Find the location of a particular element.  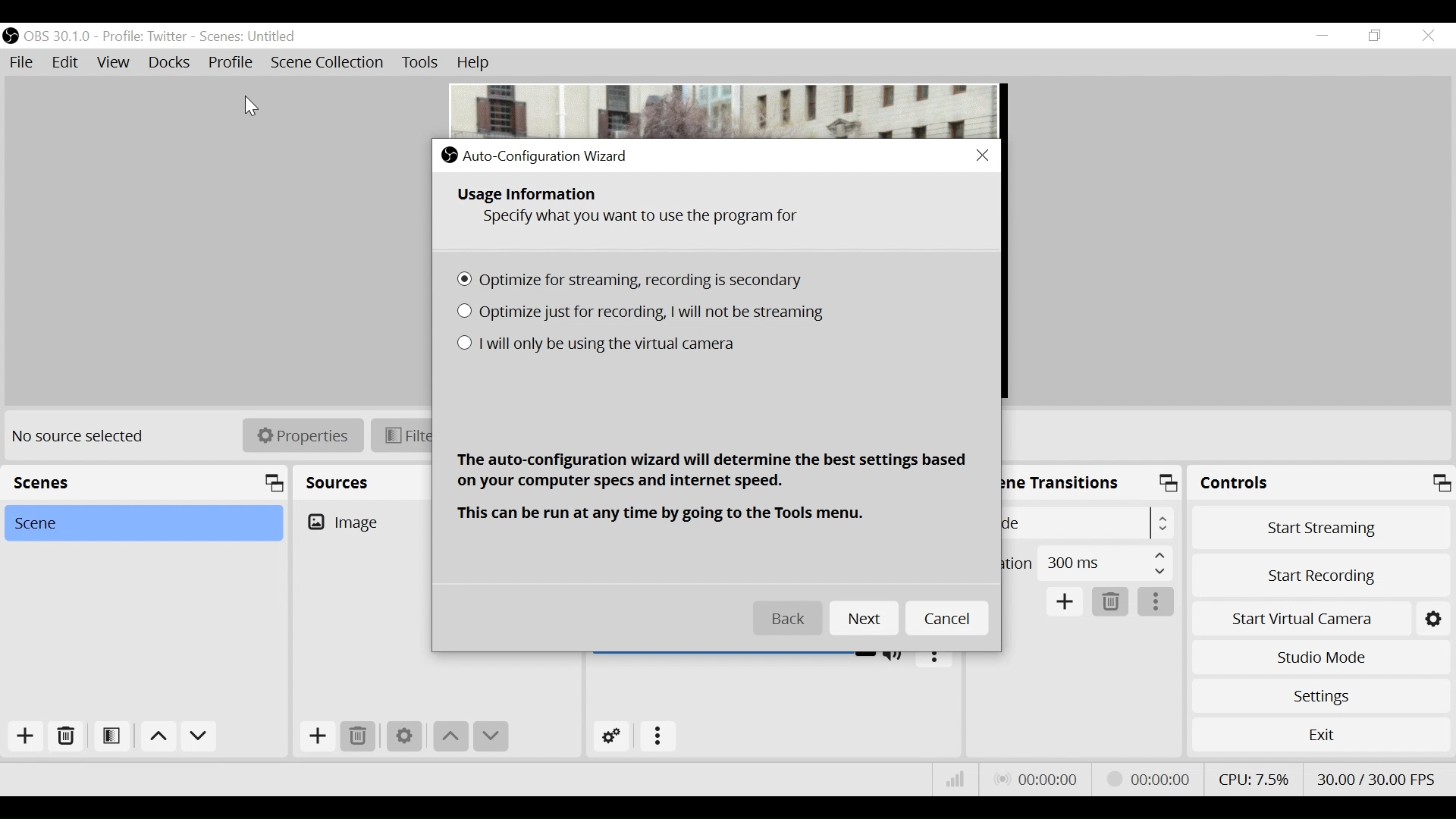

Studio Mode is located at coordinates (1318, 659).